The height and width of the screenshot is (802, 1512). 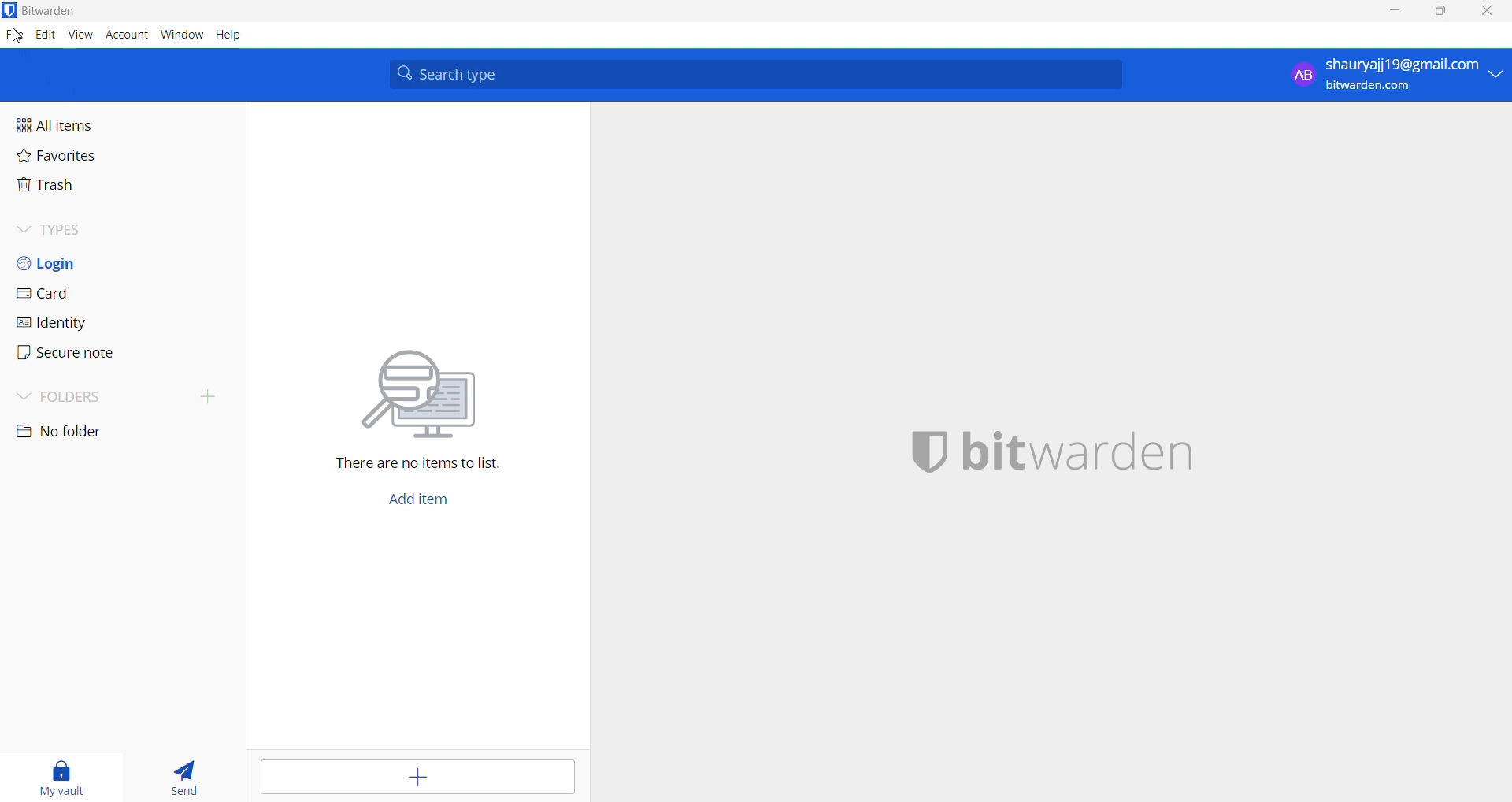 What do you see at coordinates (124, 396) in the screenshot?
I see `folders` at bounding box center [124, 396].